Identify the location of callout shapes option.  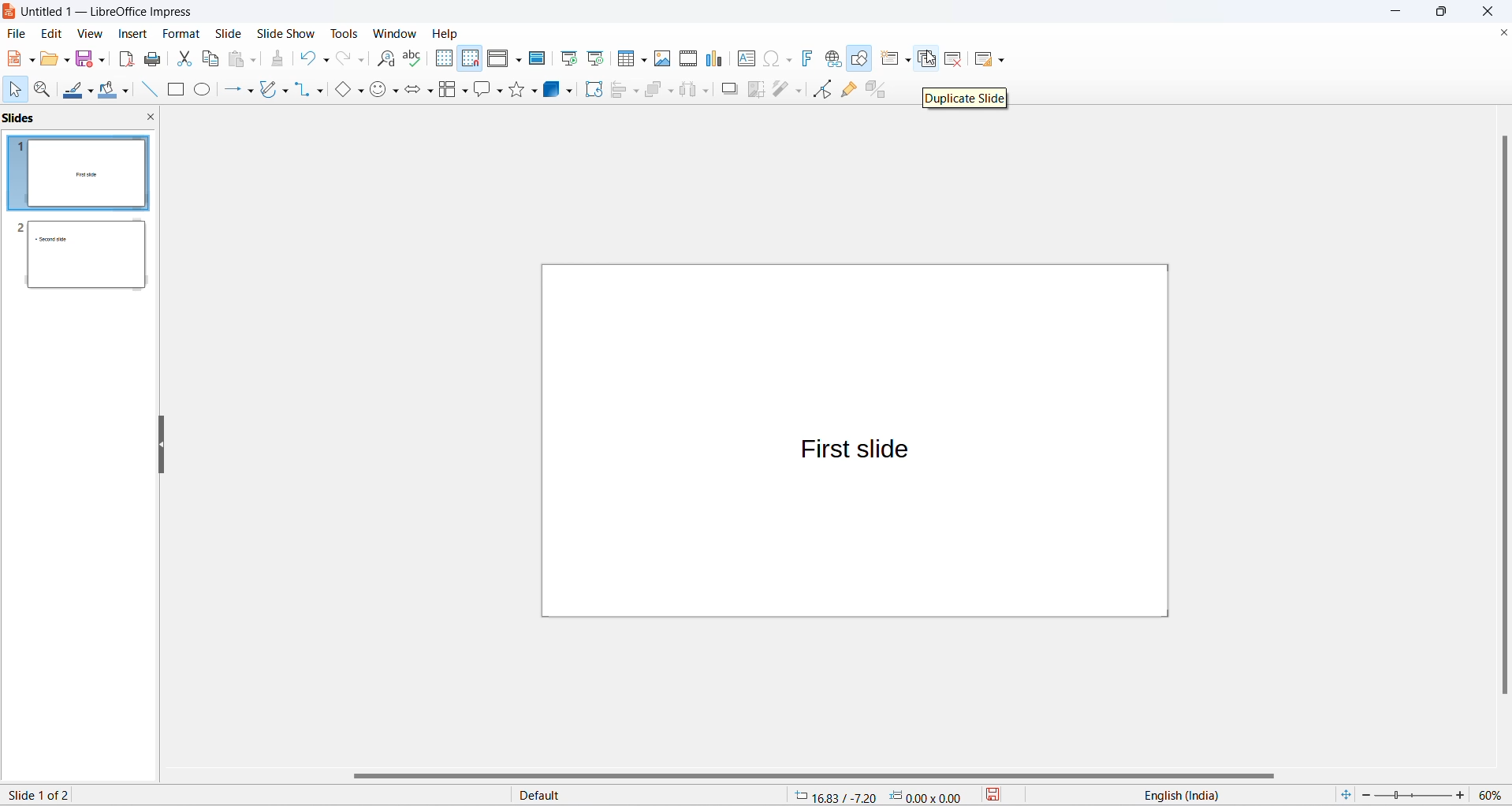
(497, 89).